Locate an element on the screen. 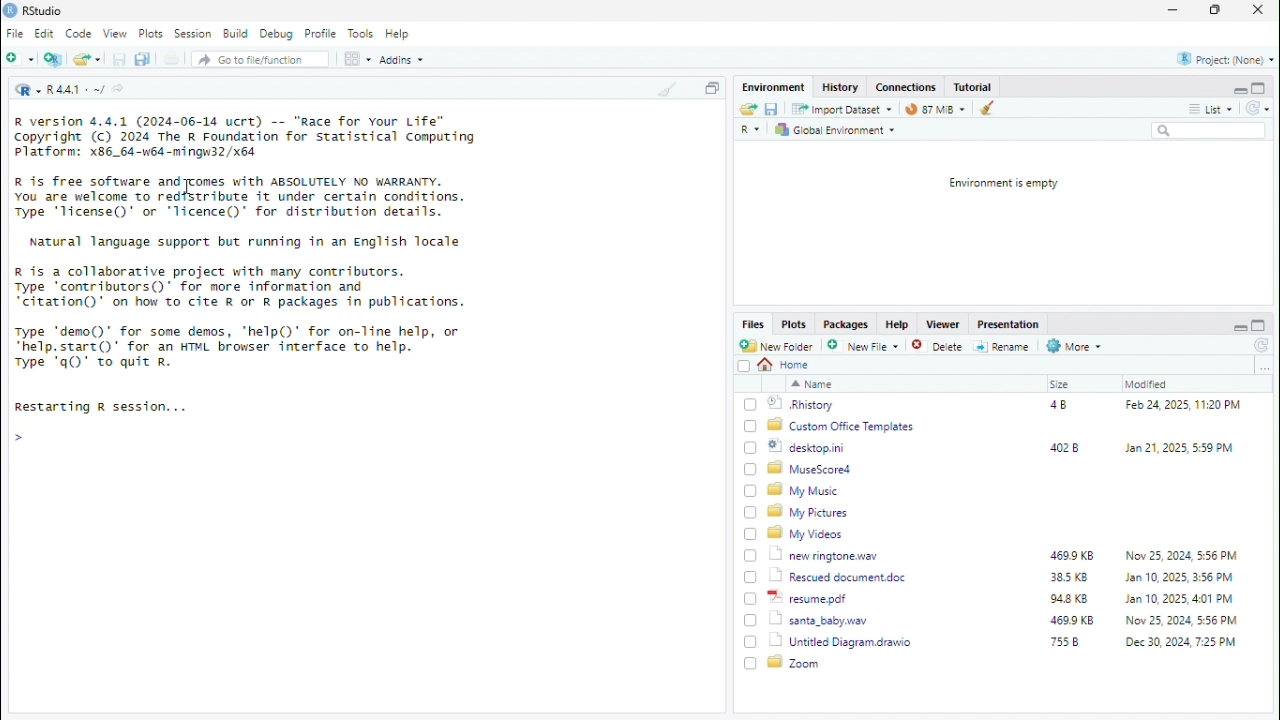 This screenshot has width=1280, height=720. R is located at coordinates (752, 130).